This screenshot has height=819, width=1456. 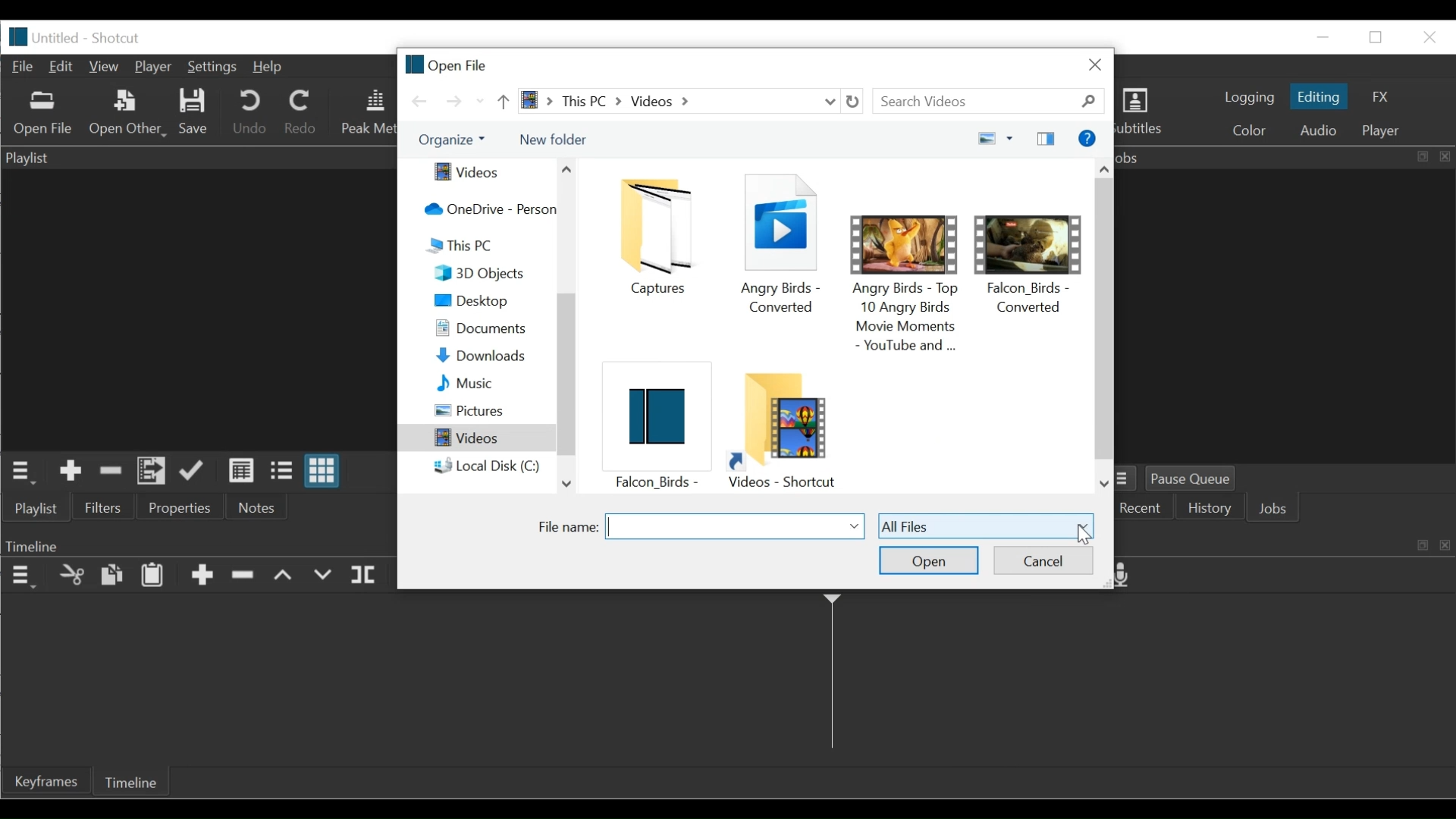 I want to click on View as files, so click(x=285, y=472).